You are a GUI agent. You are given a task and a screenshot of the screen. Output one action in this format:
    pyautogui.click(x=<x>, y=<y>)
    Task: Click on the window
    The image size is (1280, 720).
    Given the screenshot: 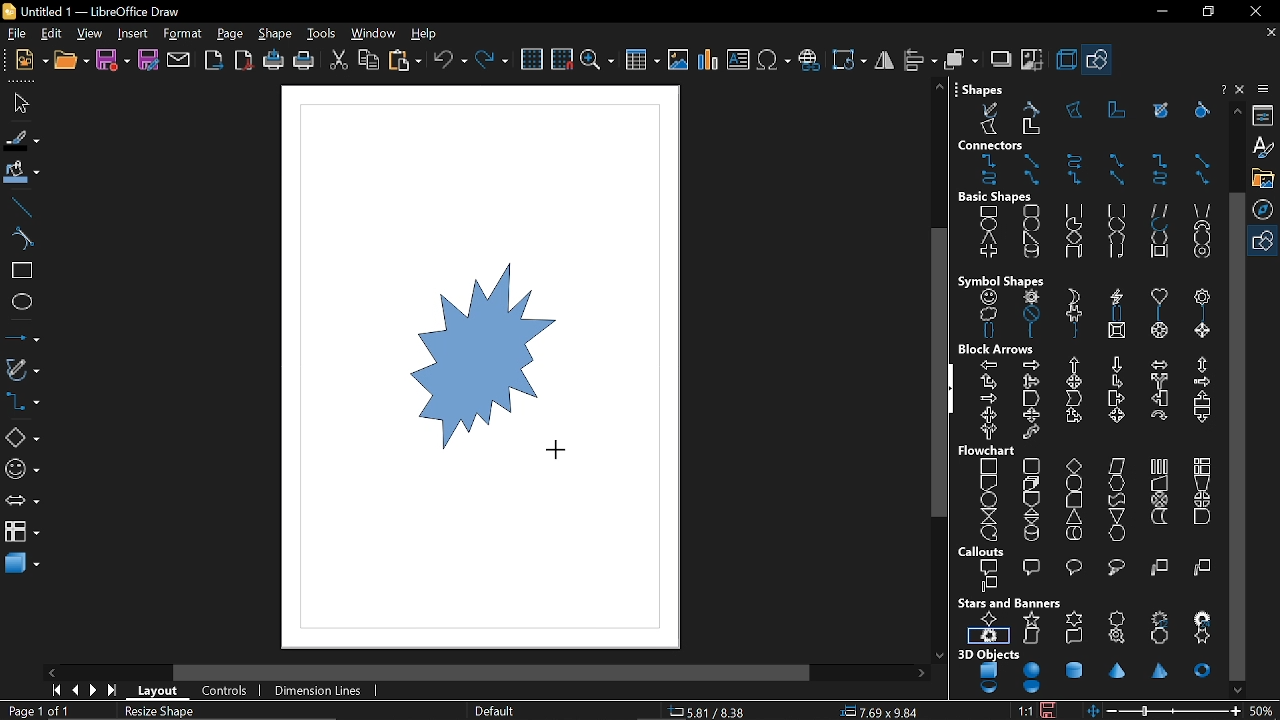 What is the action you would take?
    pyautogui.click(x=374, y=34)
    